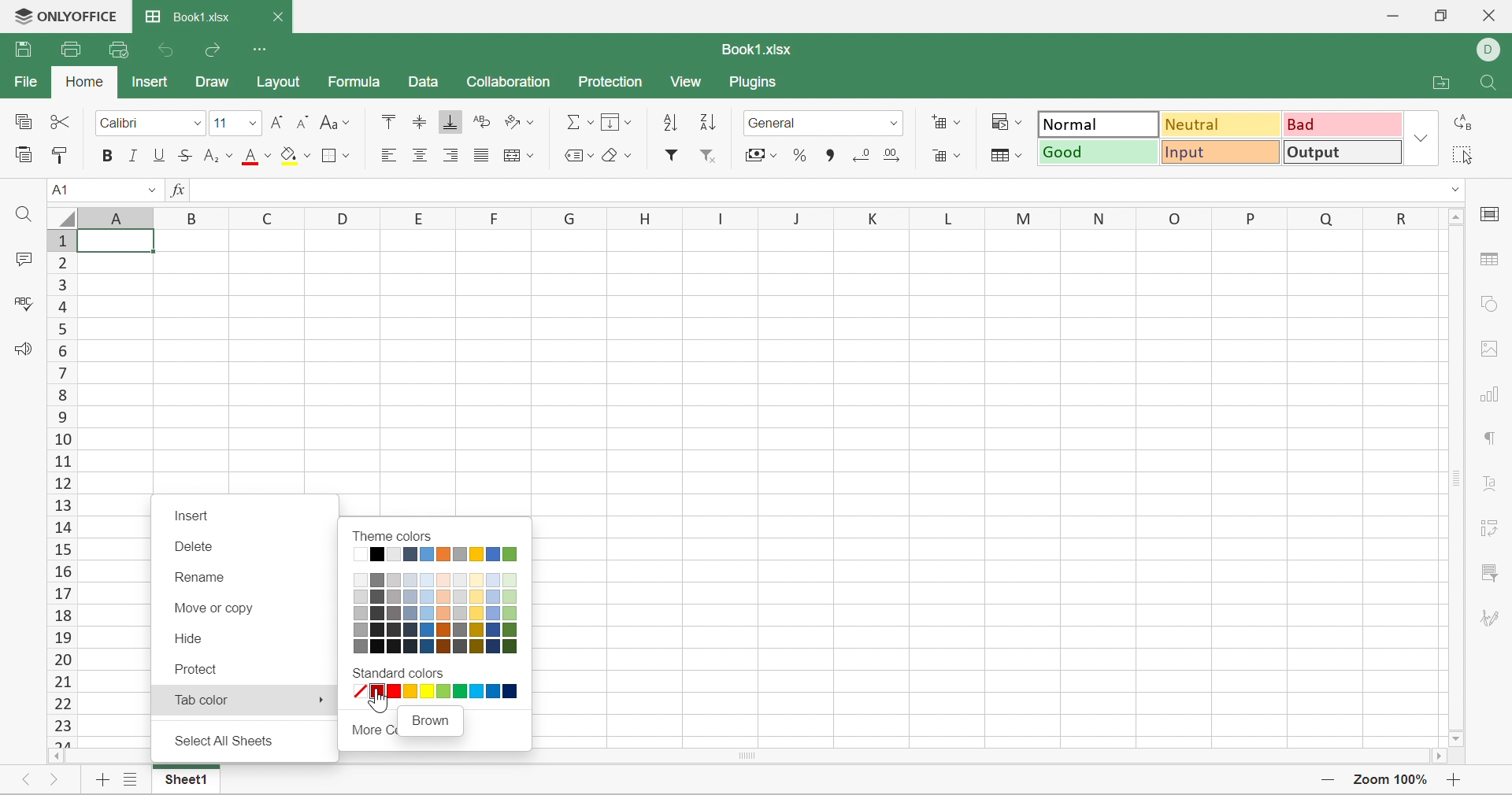 This screenshot has height=795, width=1512. I want to click on Solid theme colors, so click(438, 555).